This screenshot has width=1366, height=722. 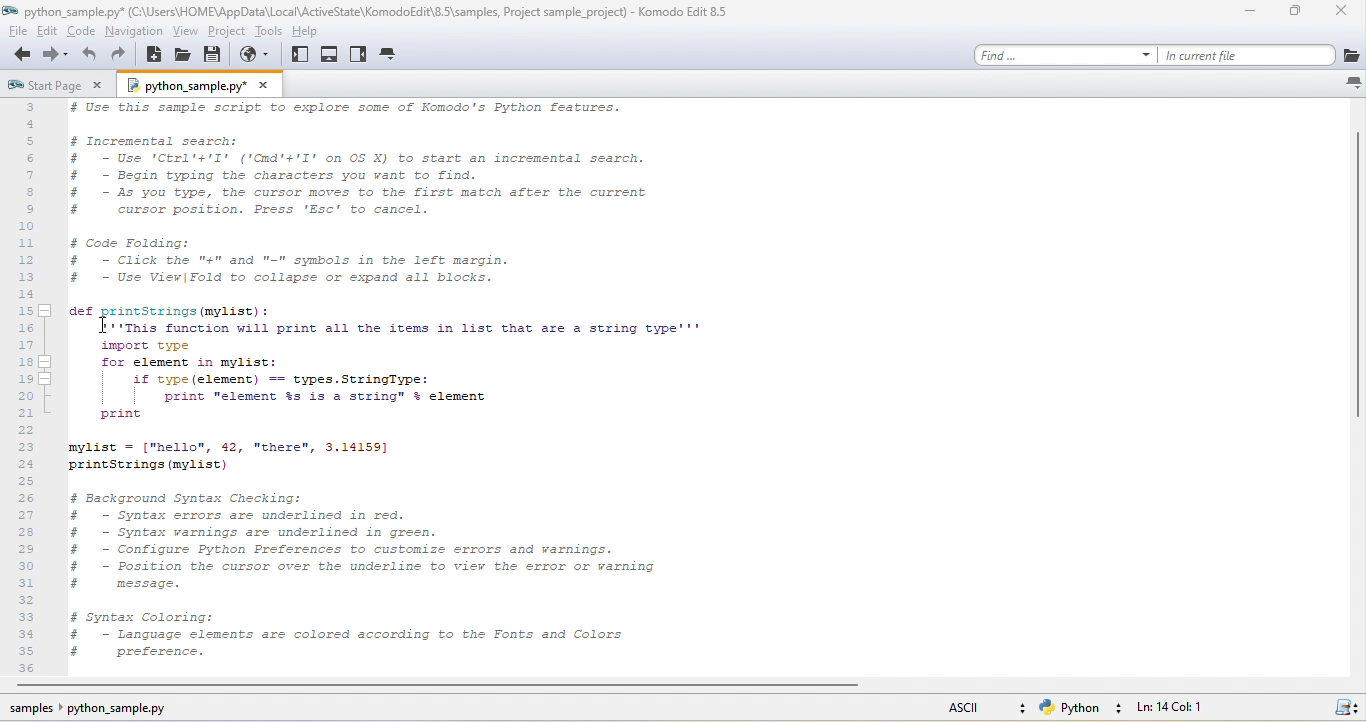 I want to click on sample python sample py, so click(x=97, y=709).